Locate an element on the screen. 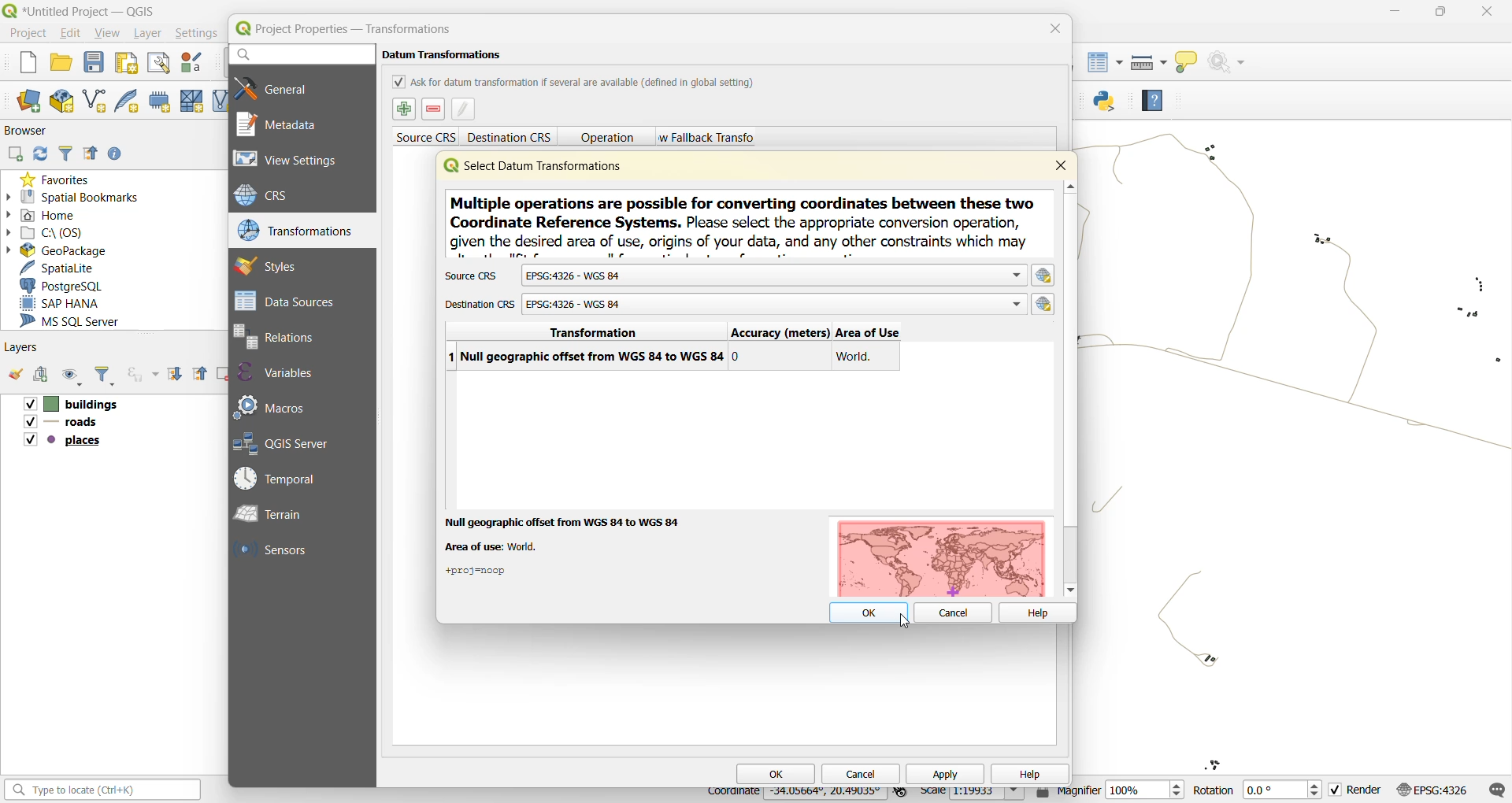 Image resolution: width=1512 pixels, height=803 pixels. areas of use: world is located at coordinates (506, 549).